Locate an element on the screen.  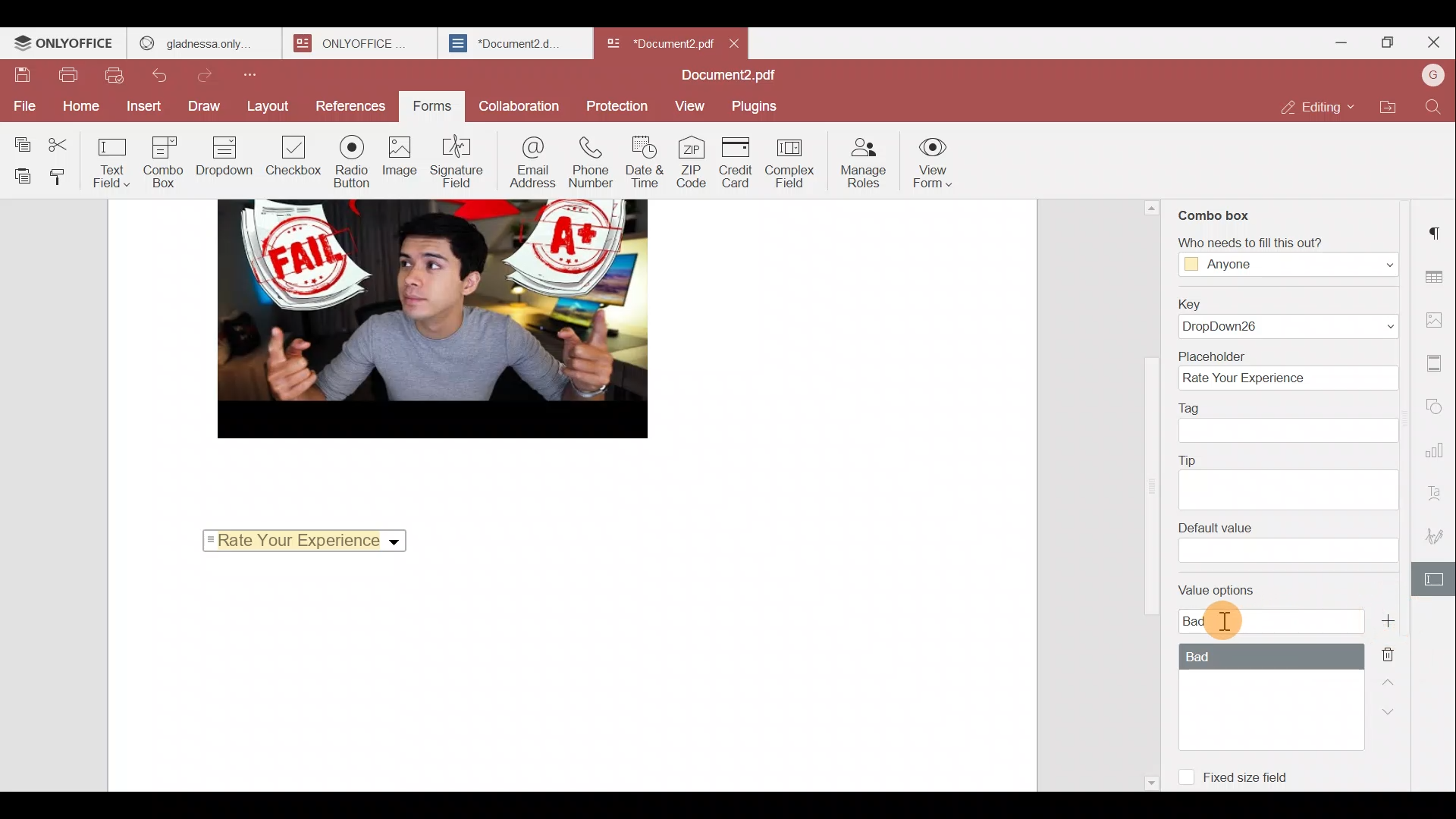
Cut is located at coordinates (70, 142).